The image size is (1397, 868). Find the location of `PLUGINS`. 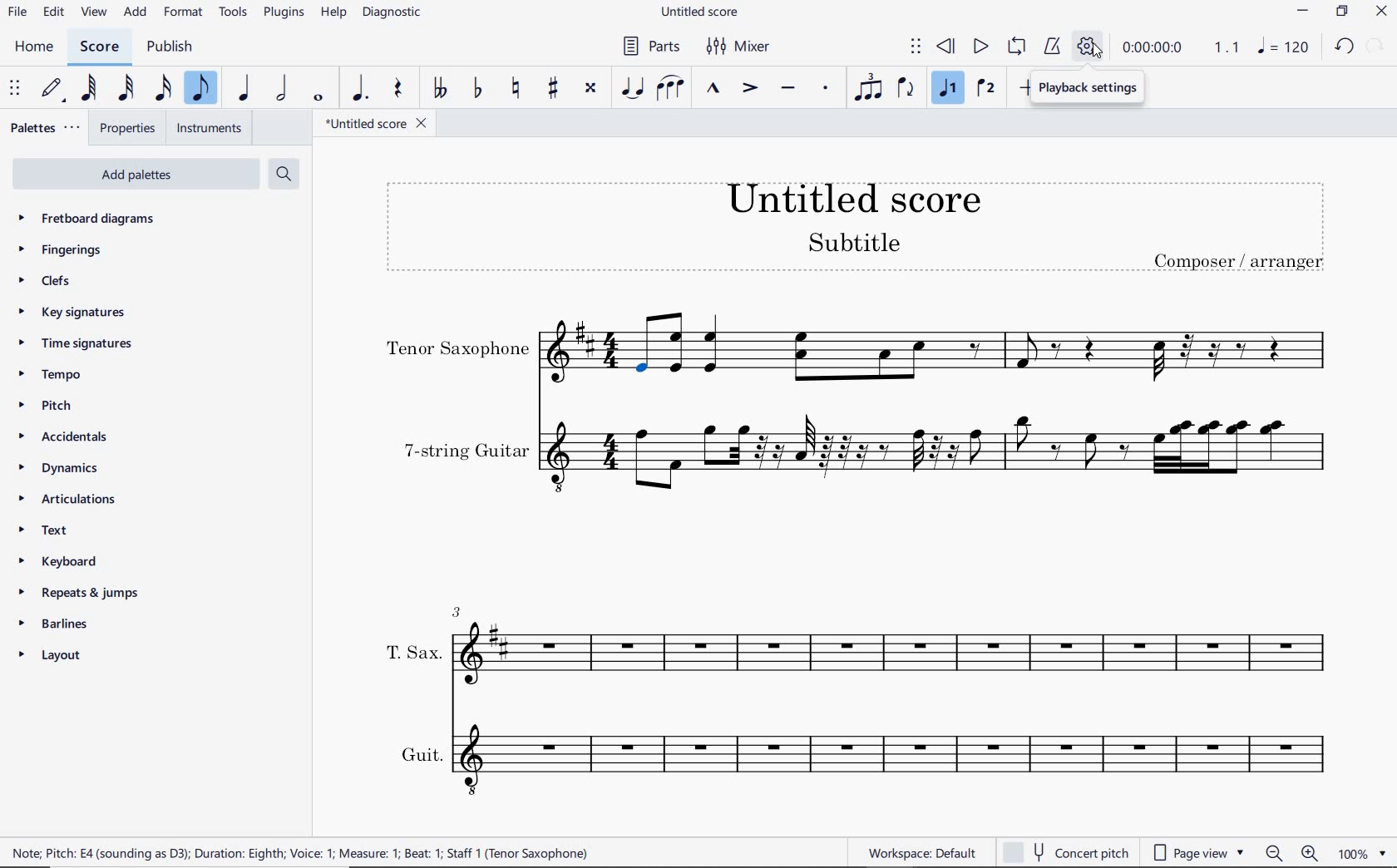

PLUGINS is located at coordinates (283, 13).